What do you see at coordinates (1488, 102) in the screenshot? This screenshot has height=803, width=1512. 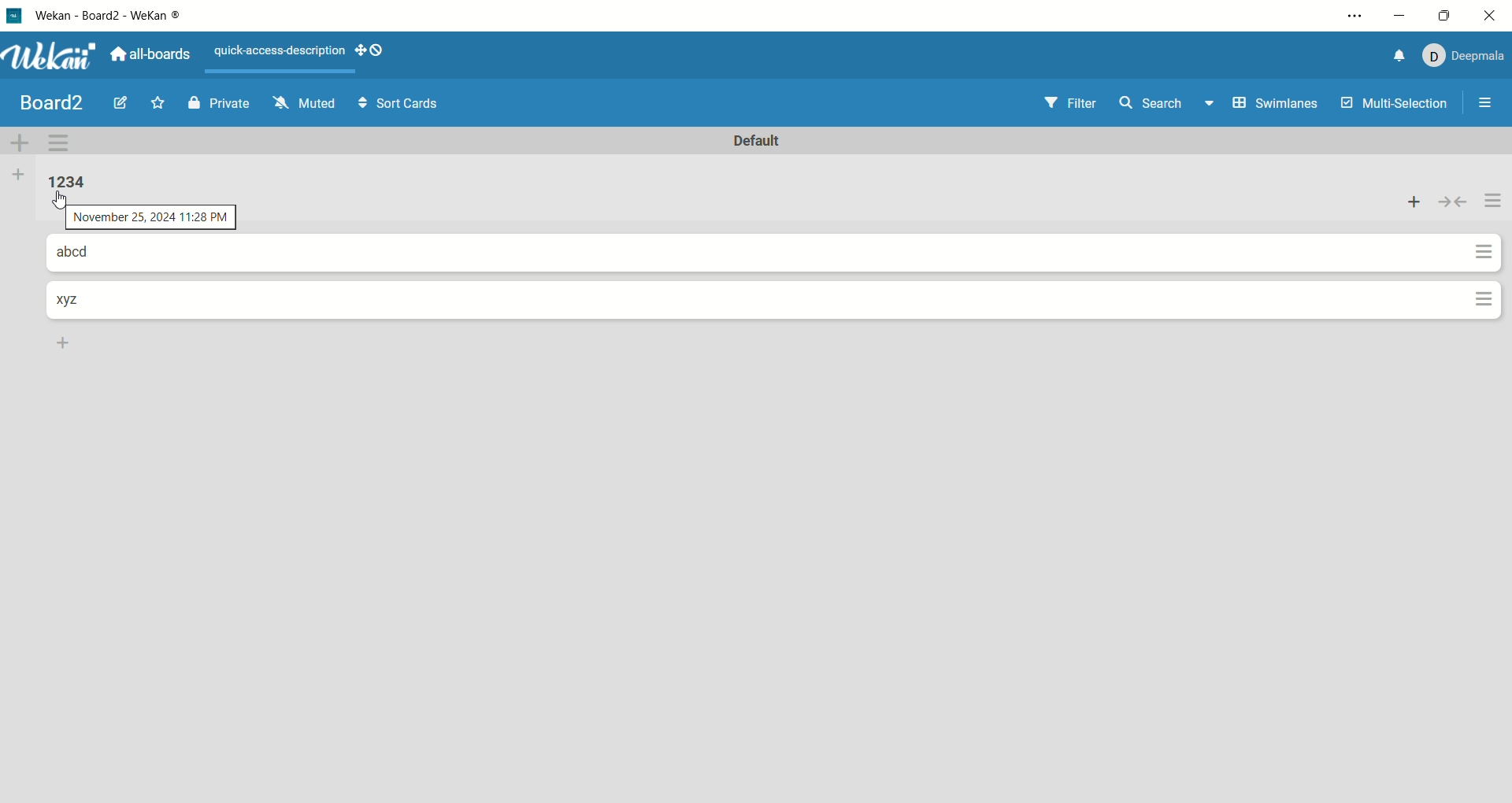 I see `option` at bounding box center [1488, 102].